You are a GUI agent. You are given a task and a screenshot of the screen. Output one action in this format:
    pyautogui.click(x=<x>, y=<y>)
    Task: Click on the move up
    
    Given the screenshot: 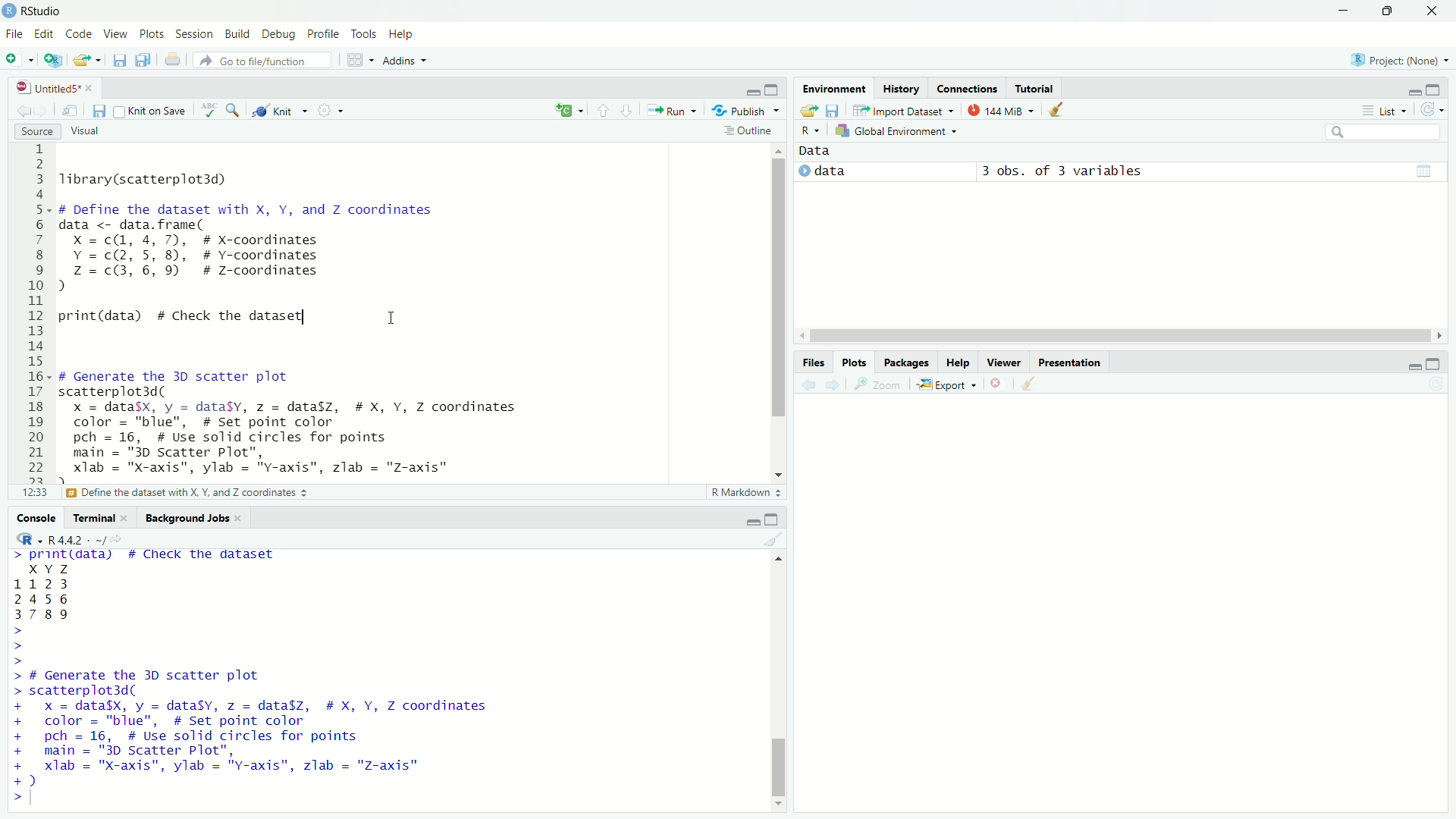 What is the action you would take?
    pyautogui.click(x=773, y=558)
    